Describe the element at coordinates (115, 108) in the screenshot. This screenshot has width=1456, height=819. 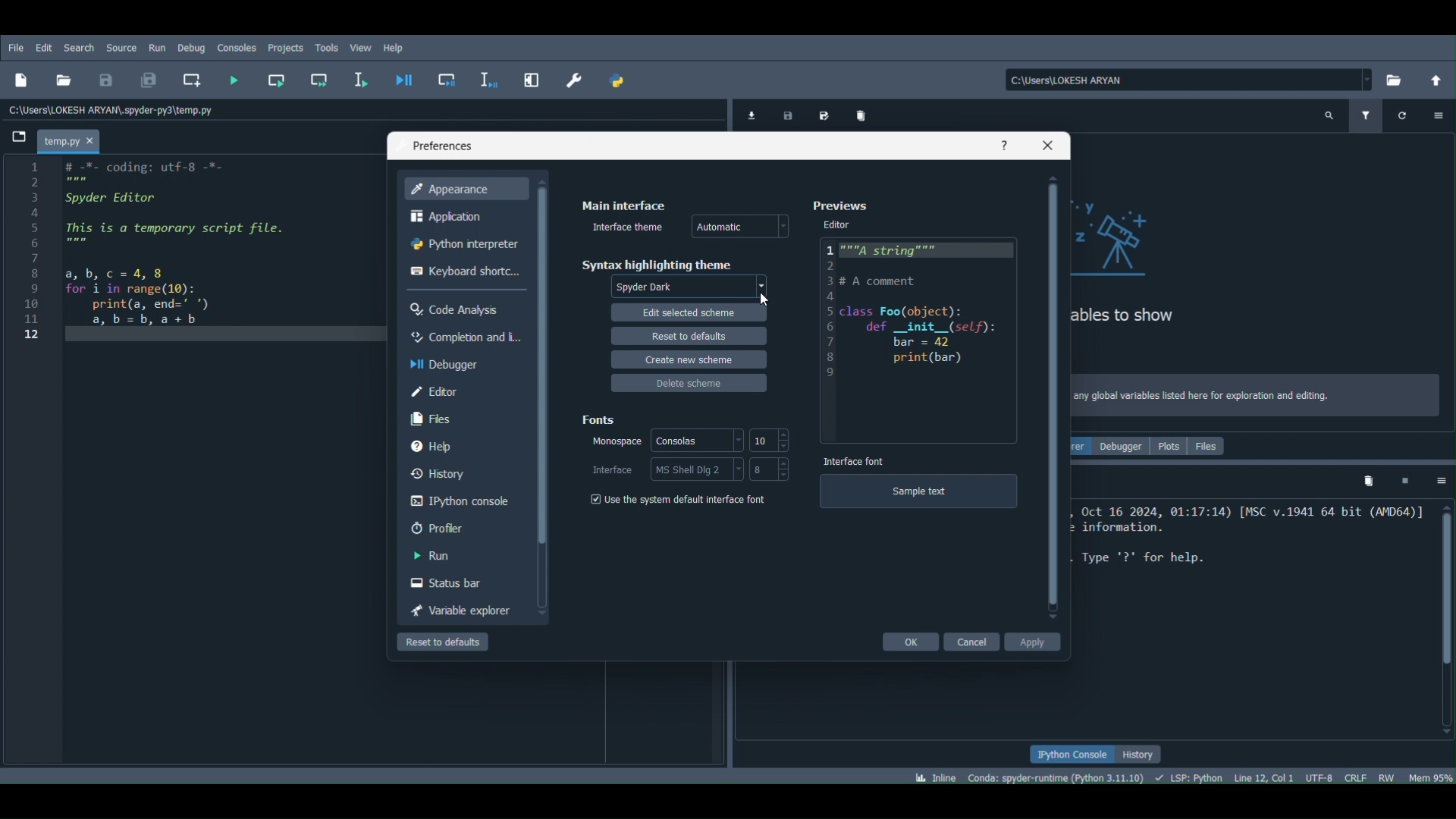
I see `File path` at that location.